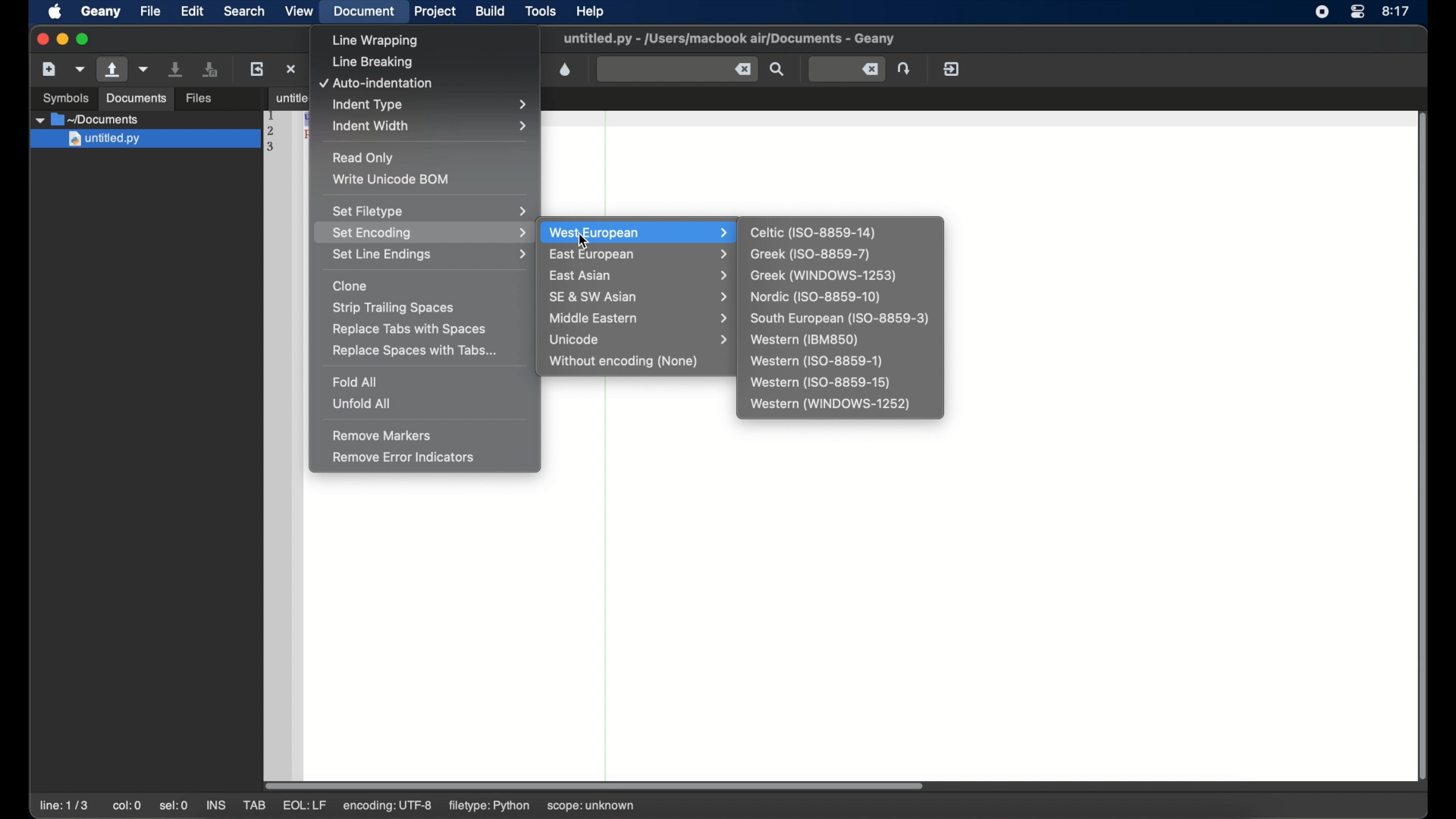 The width and height of the screenshot is (1456, 819). I want to click on view, so click(299, 11).